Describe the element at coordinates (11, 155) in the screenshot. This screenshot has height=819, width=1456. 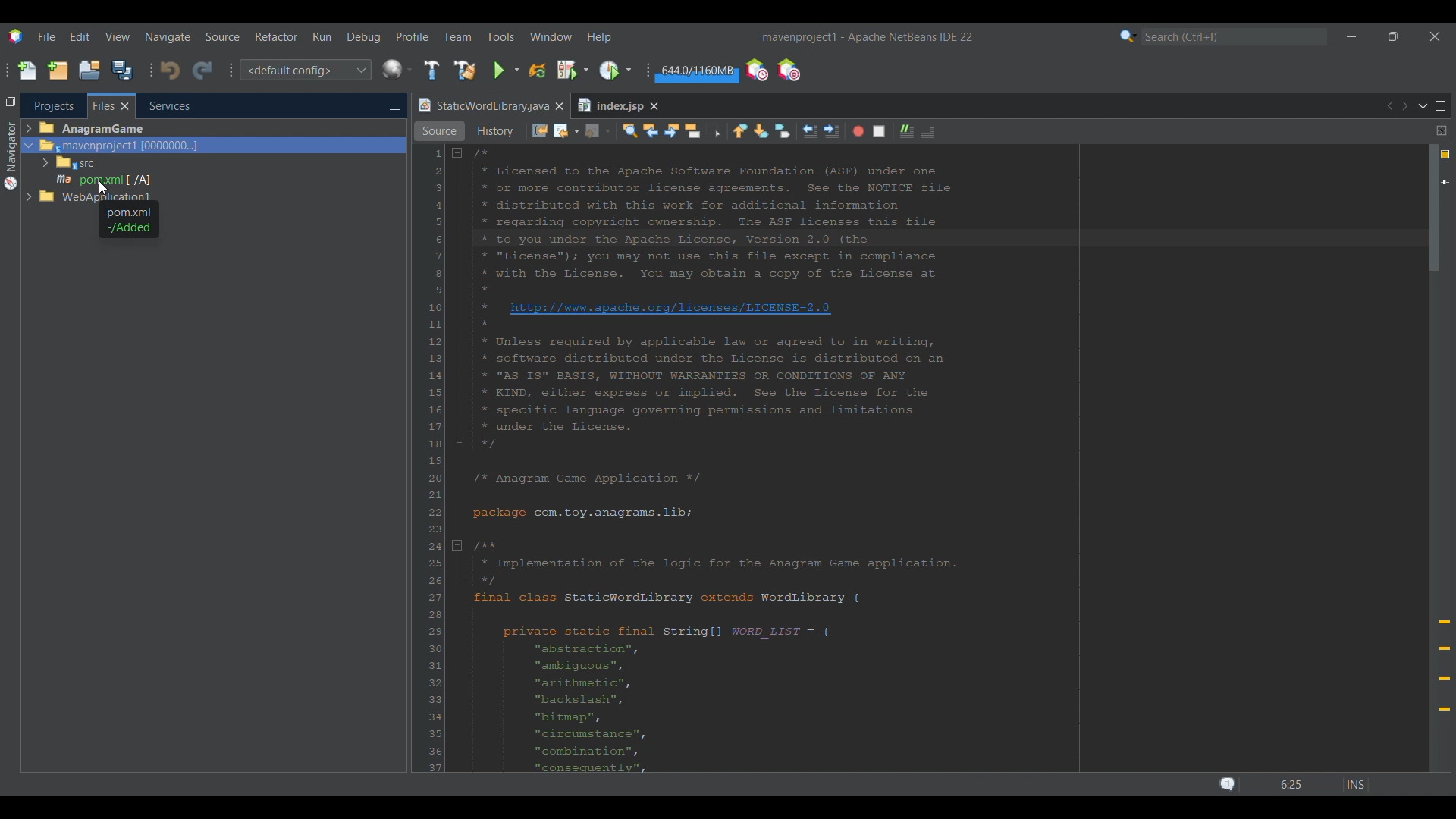
I see `Navigator menu` at that location.